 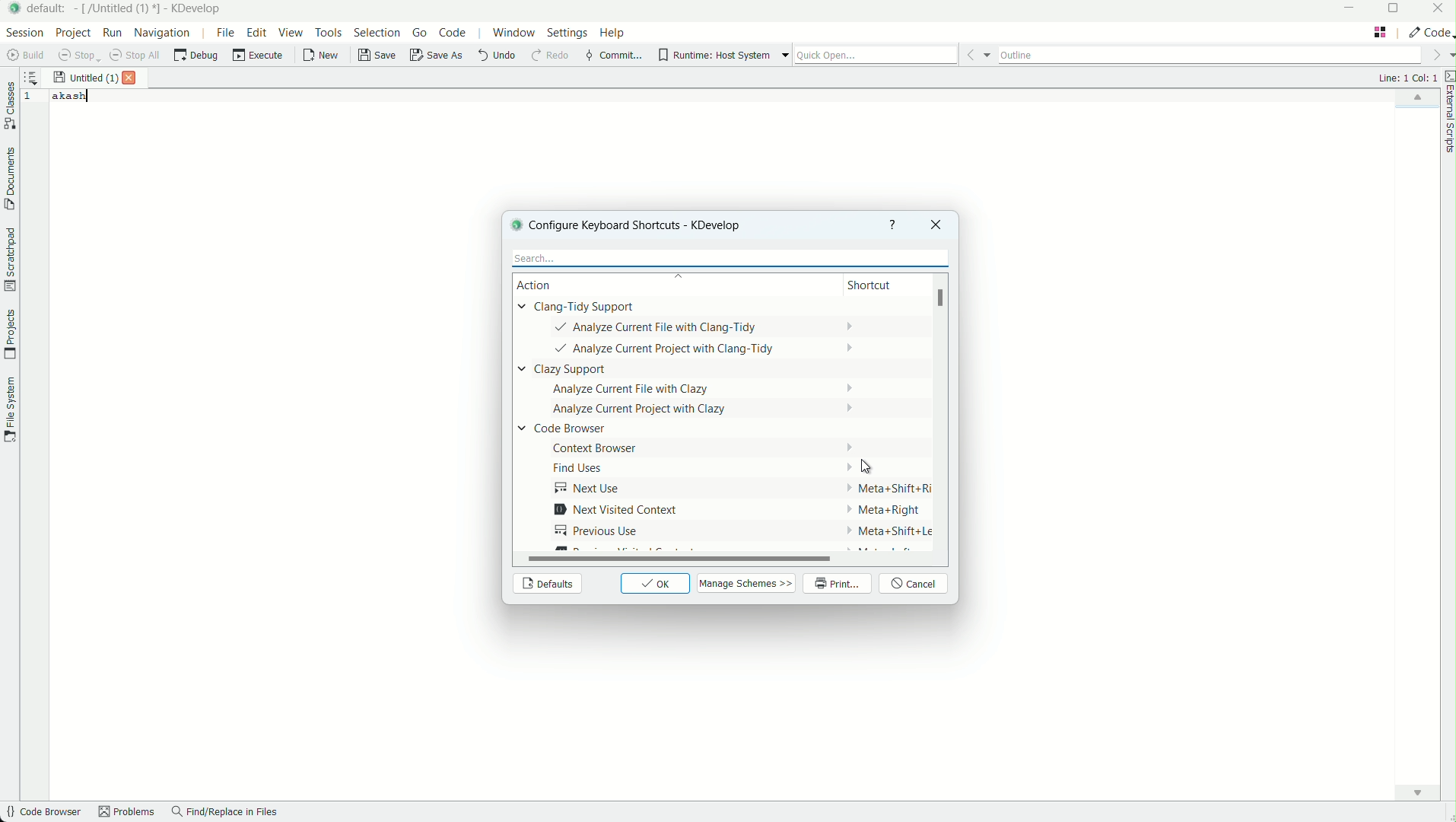 What do you see at coordinates (865, 466) in the screenshot?
I see `Cursor` at bounding box center [865, 466].